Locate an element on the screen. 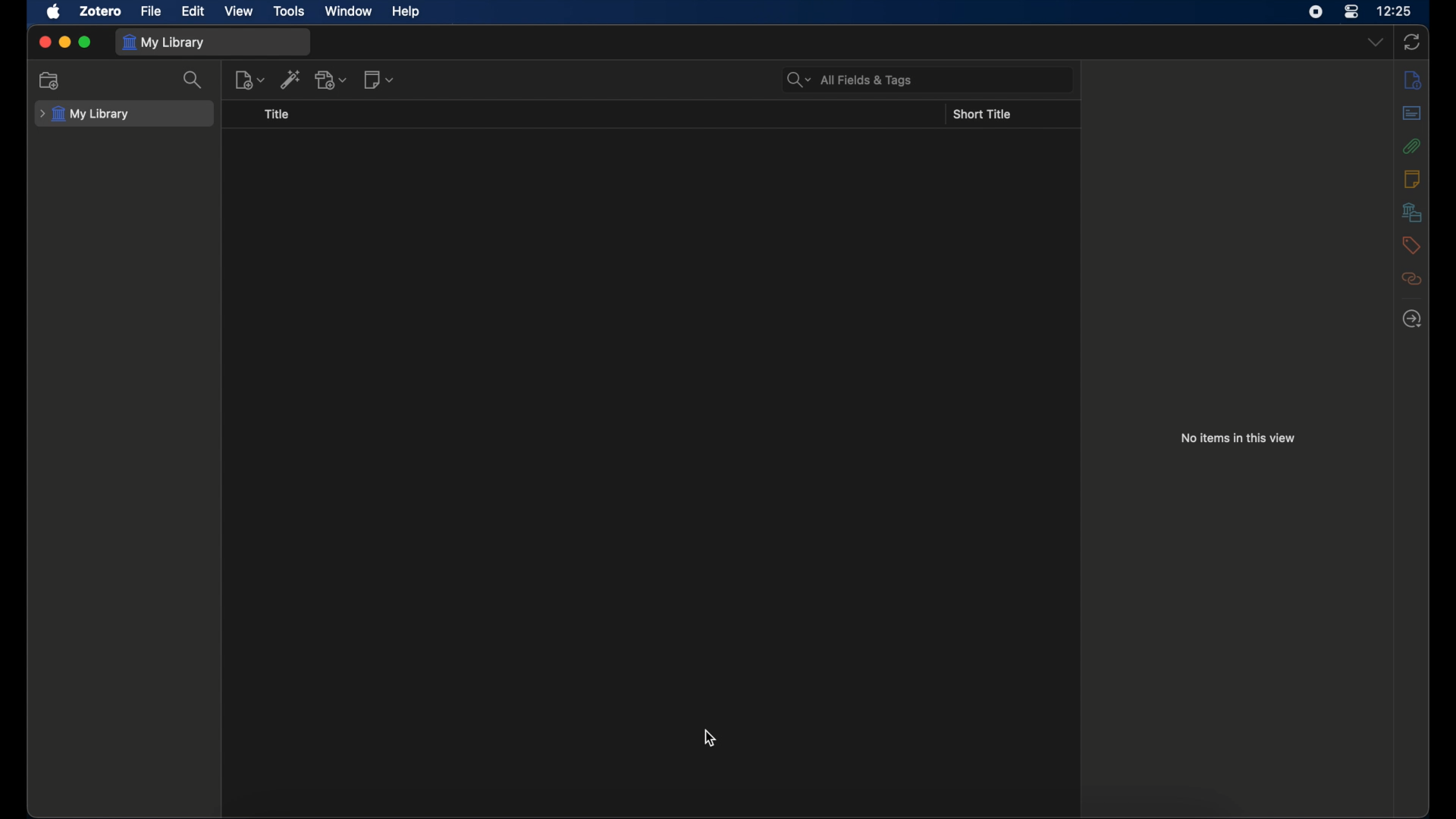 The height and width of the screenshot is (819, 1456). short title is located at coordinates (982, 115).